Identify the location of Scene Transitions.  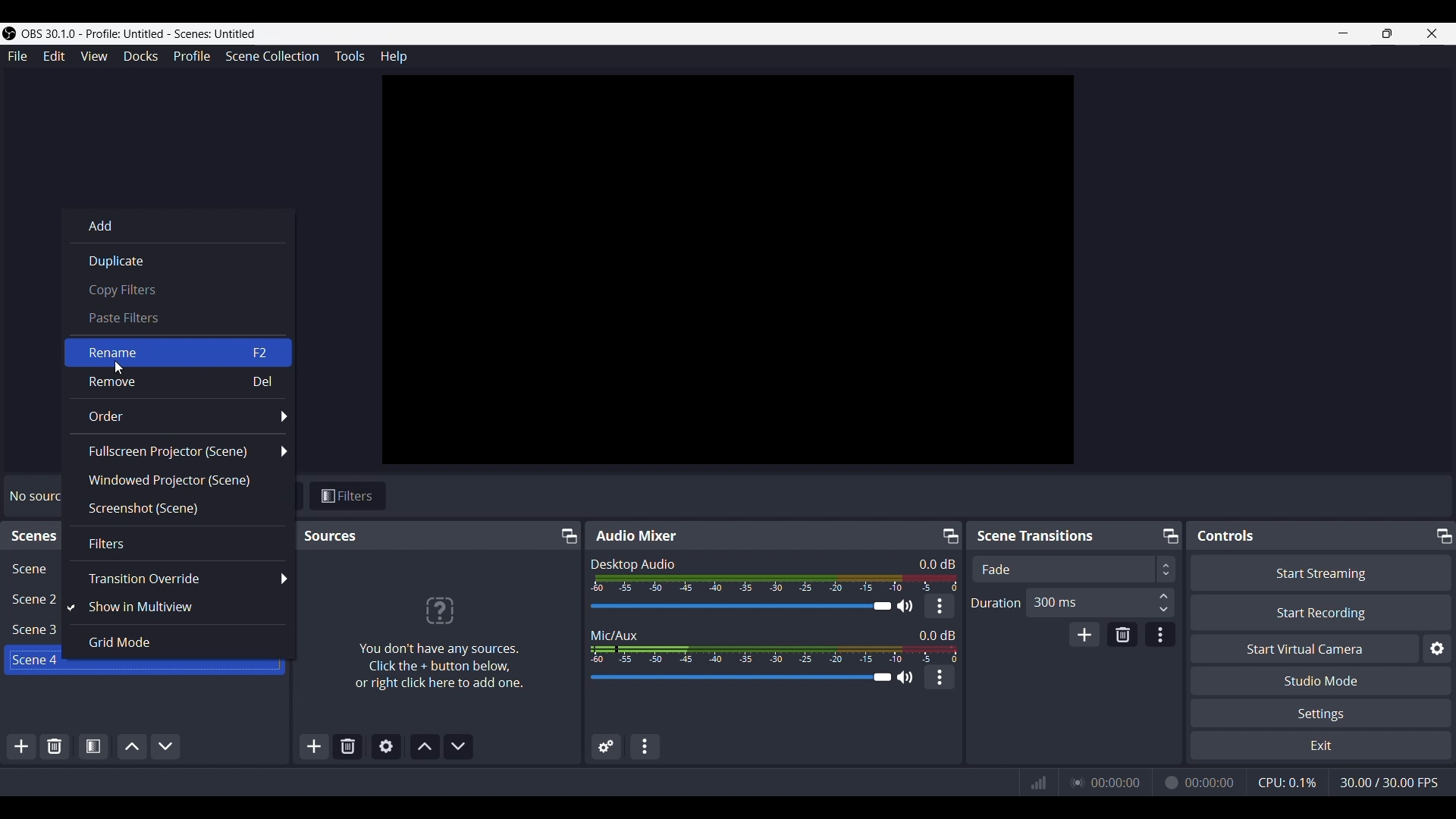
(1039, 535).